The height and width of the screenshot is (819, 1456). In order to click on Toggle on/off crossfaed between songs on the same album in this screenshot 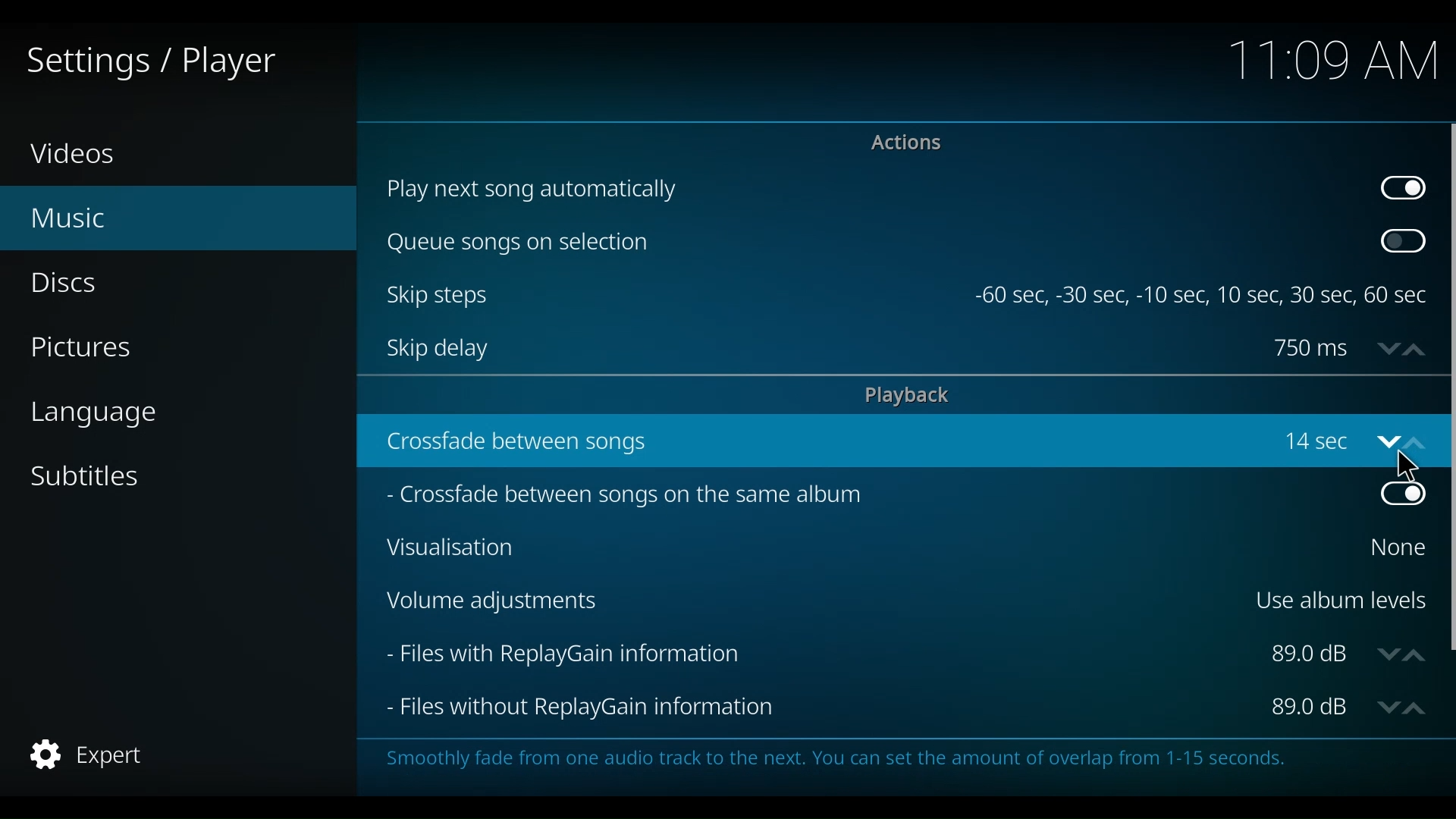, I will do `click(1399, 494)`.